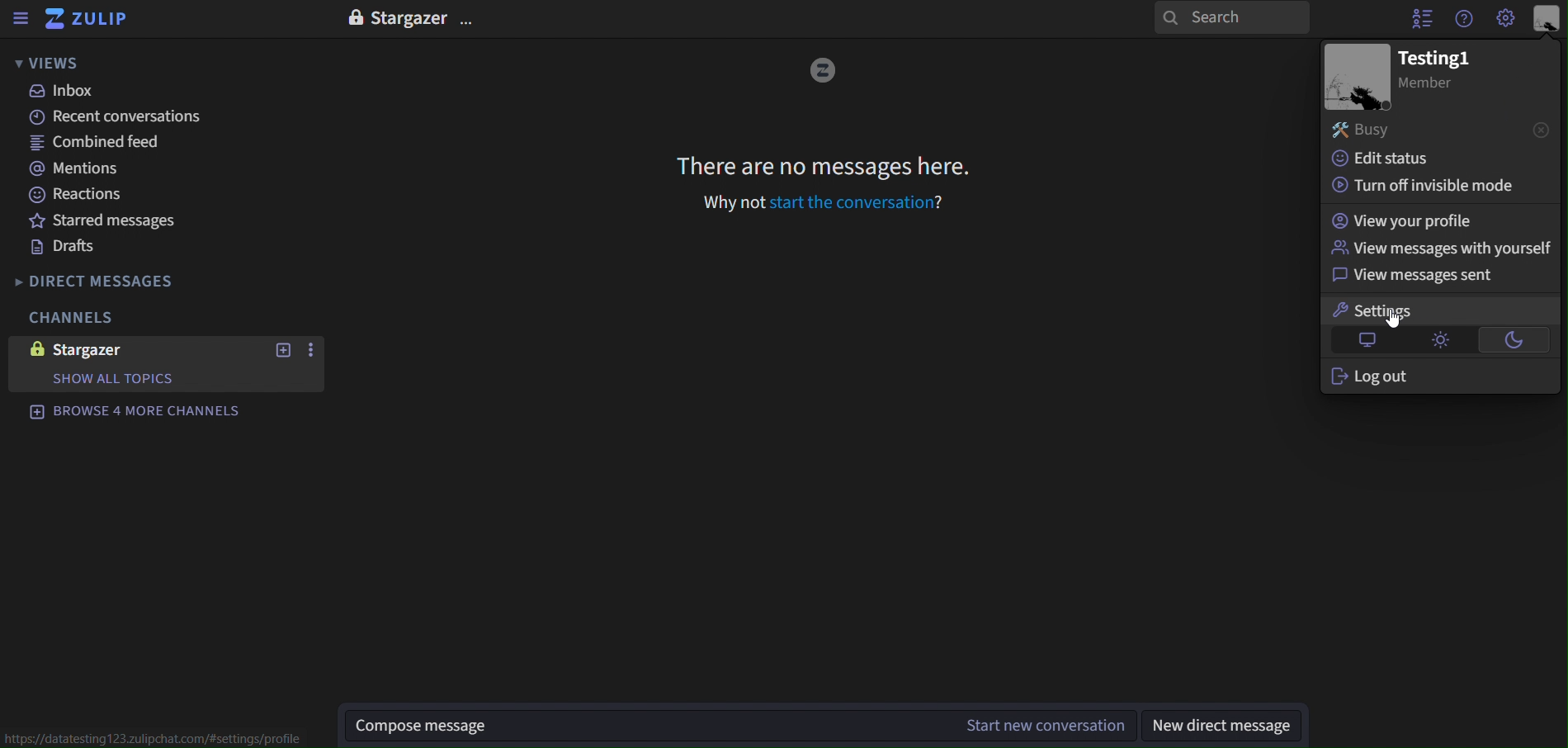 Image resolution: width=1568 pixels, height=748 pixels. I want to click on settings, so click(1372, 310).